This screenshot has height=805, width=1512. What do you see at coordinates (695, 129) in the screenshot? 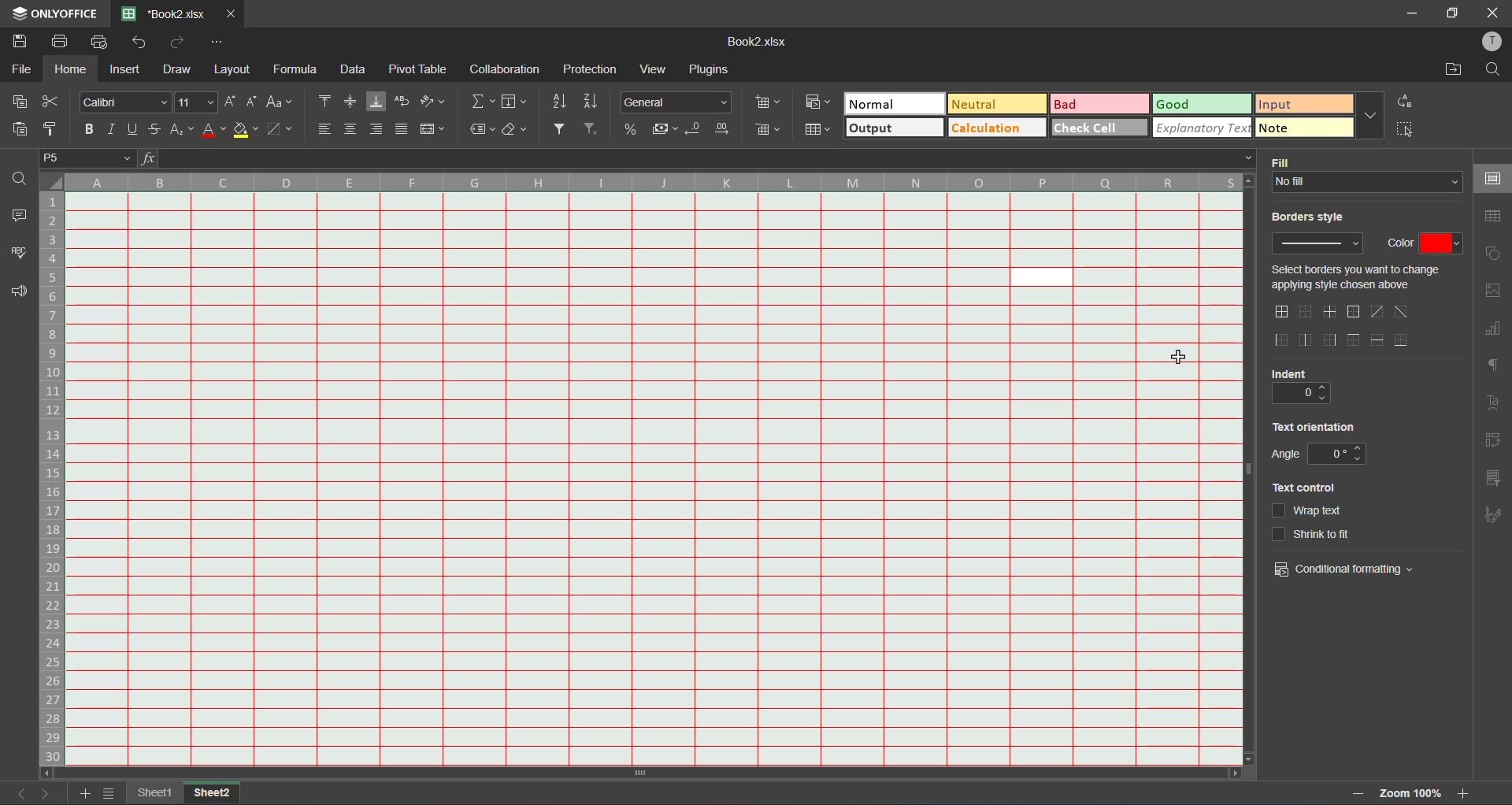
I see `decrease decimal` at bounding box center [695, 129].